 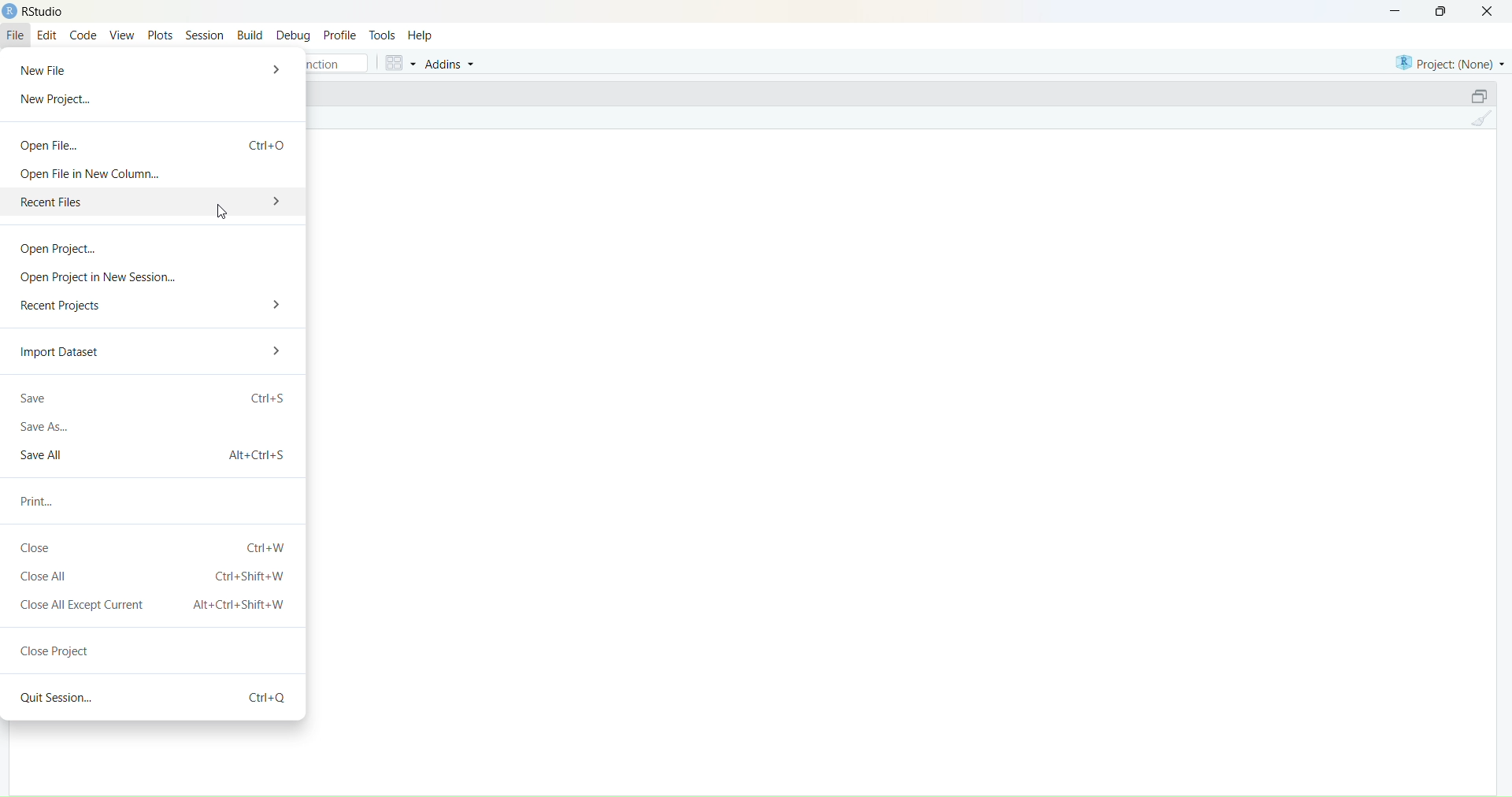 I want to click on Help, so click(x=420, y=36).